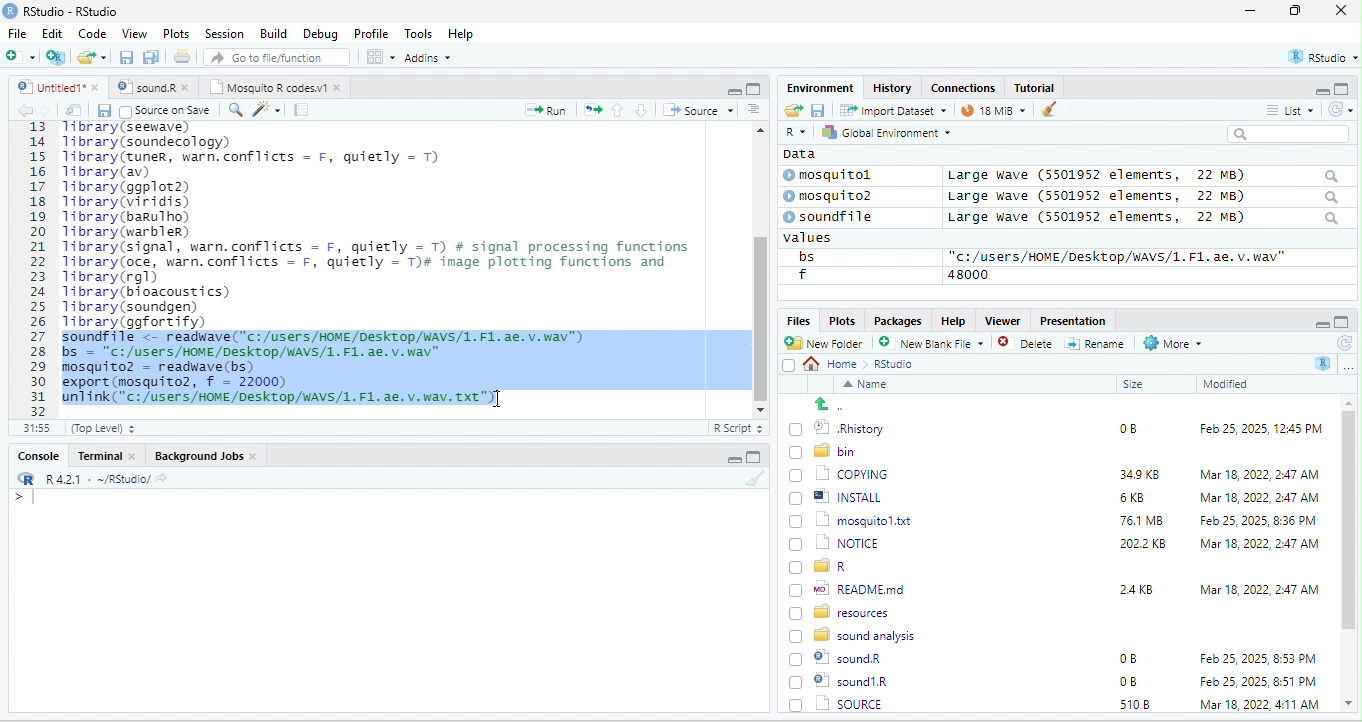 Image resolution: width=1362 pixels, height=722 pixels. Describe the element at coordinates (830, 567) in the screenshot. I see `[) = R` at that location.